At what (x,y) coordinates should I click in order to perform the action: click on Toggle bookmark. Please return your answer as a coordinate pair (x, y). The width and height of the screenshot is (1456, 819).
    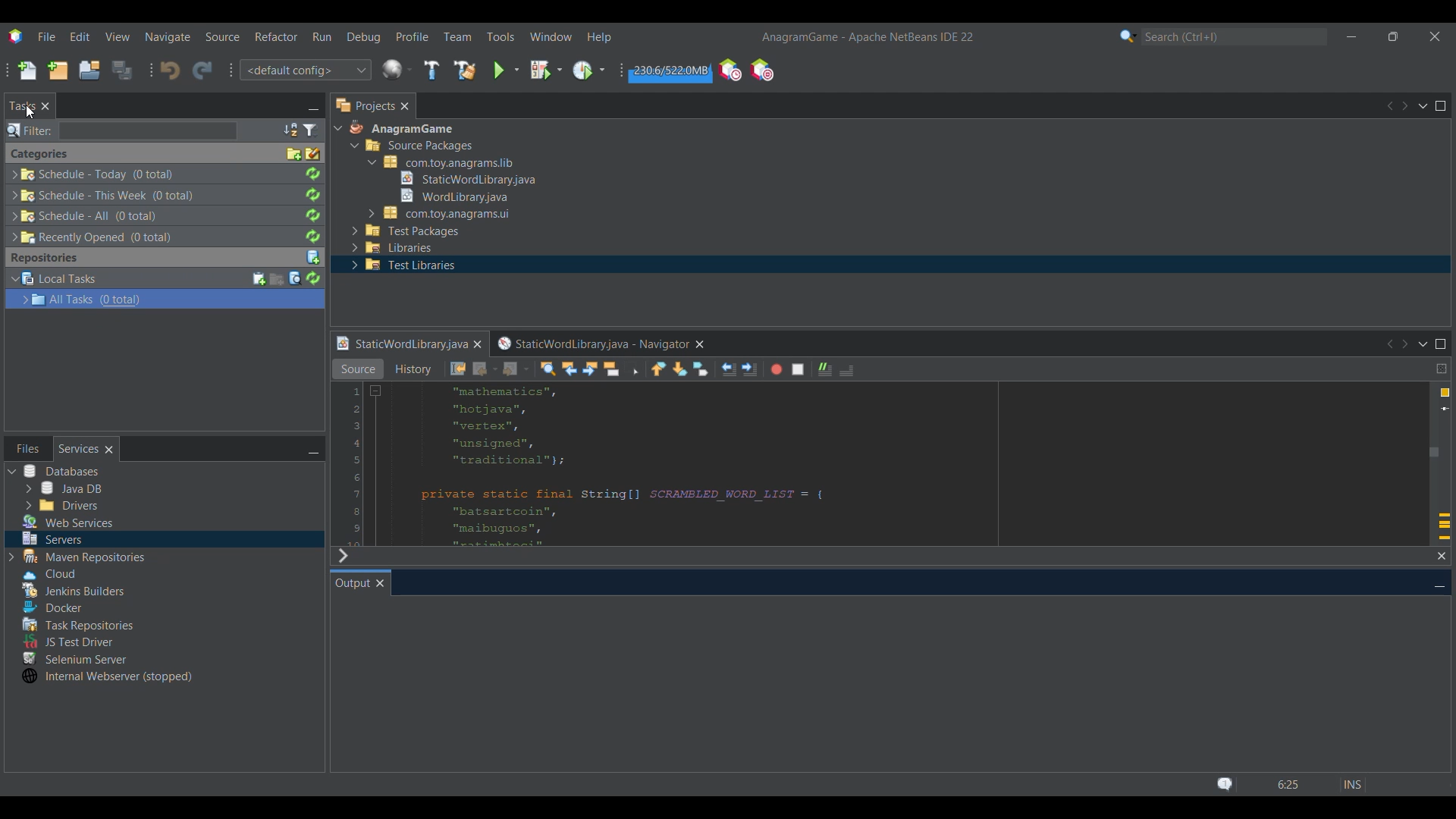
    Looking at the image, I should click on (701, 369).